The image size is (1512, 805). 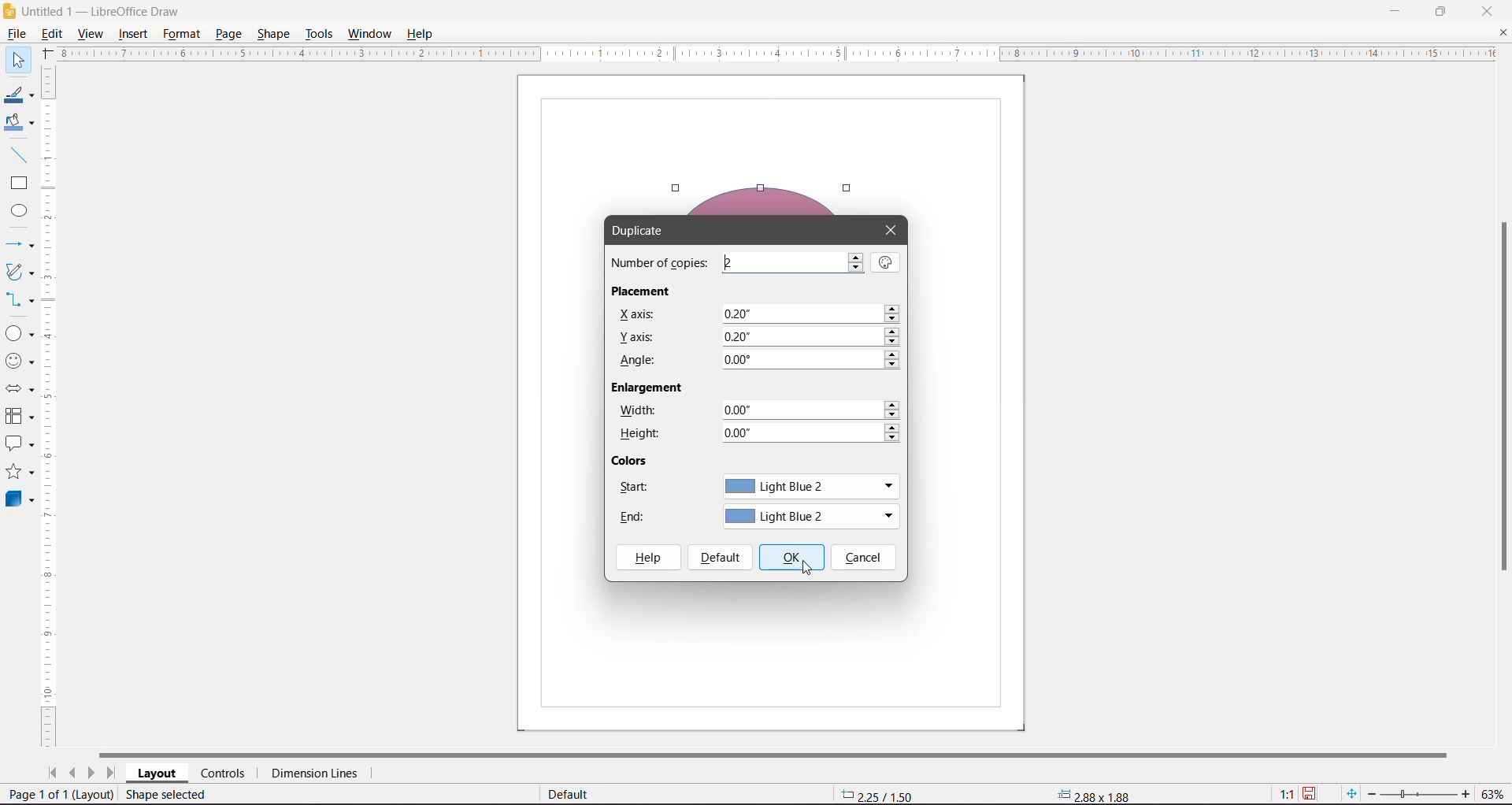 What do you see at coordinates (891, 229) in the screenshot?
I see `Close` at bounding box center [891, 229].